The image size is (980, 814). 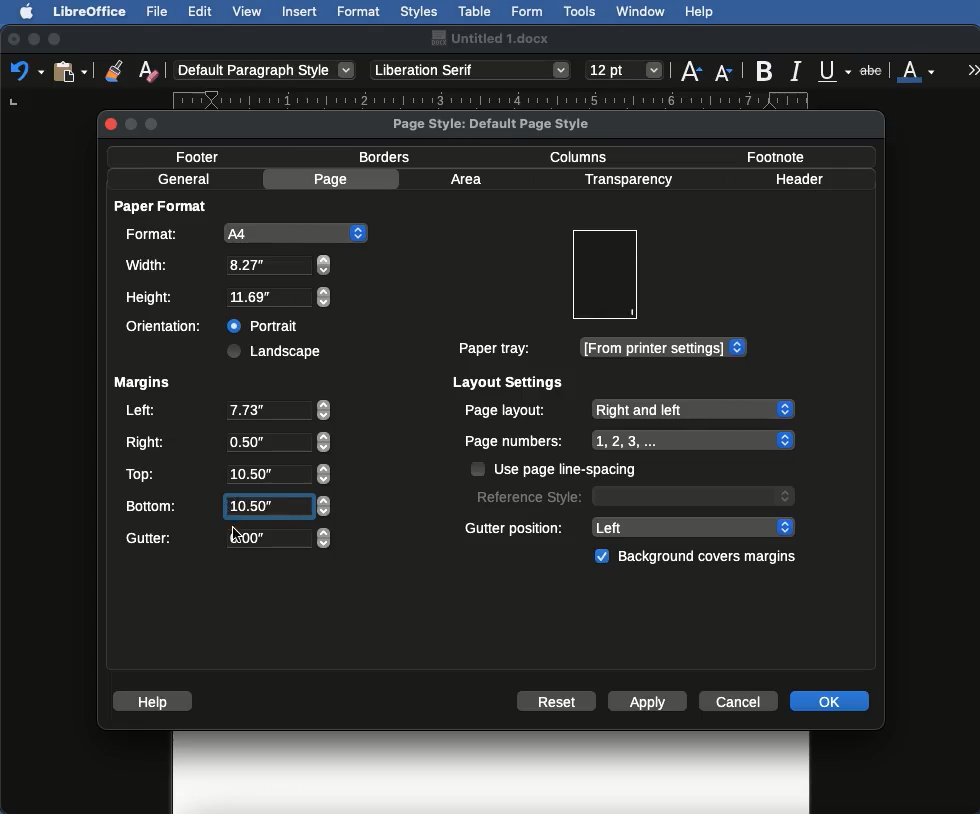 I want to click on Edit, so click(x=200, y=11).